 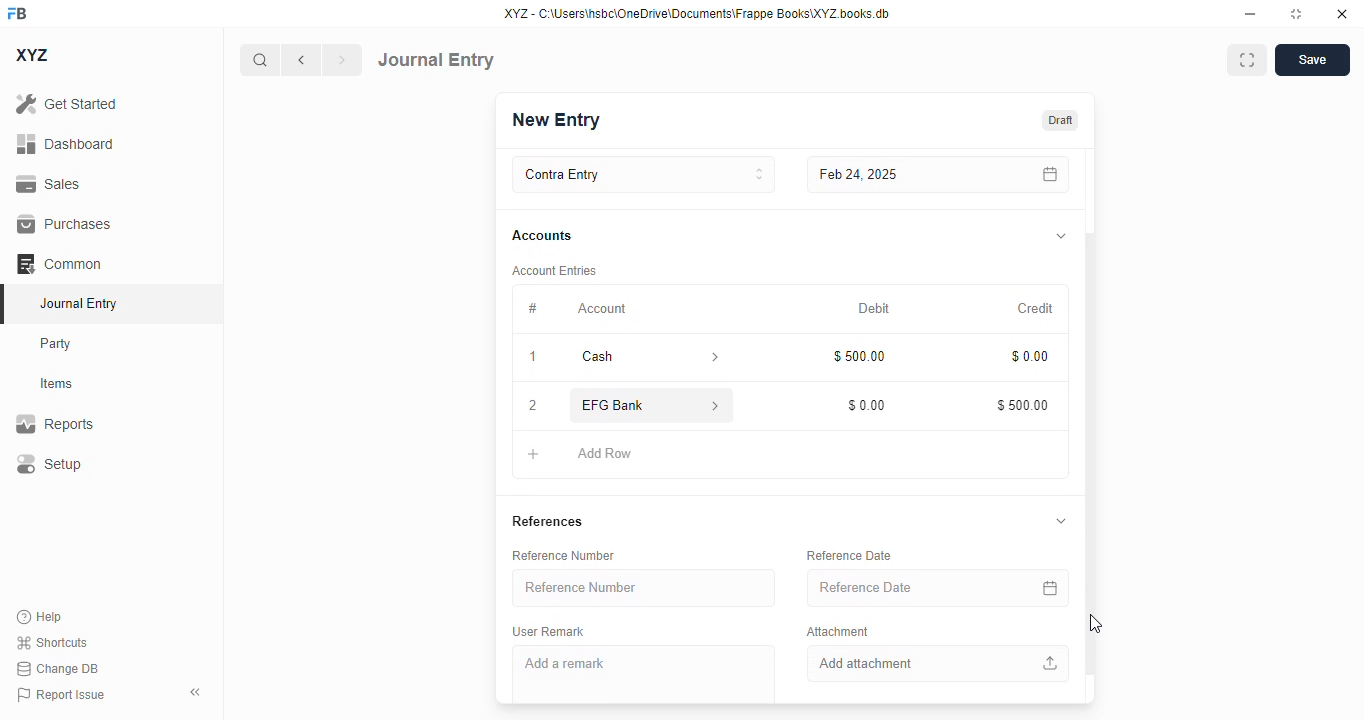 What do you see at coordinates (1342, 14) in the screenshot?
I see `close` at bounding box center [1342, 14].